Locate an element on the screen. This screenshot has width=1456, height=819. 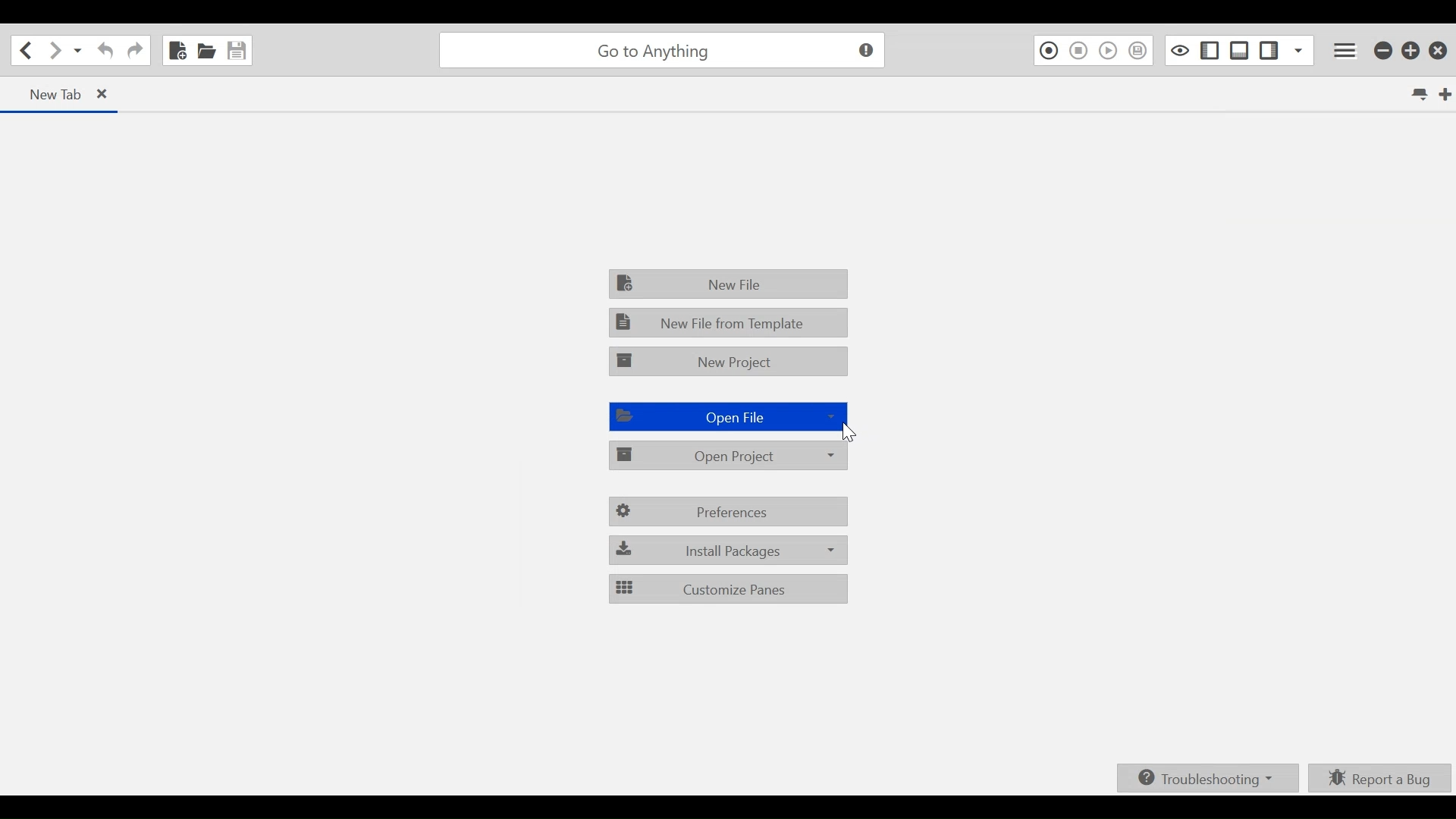
Redo is located at coordinates (135, 50).